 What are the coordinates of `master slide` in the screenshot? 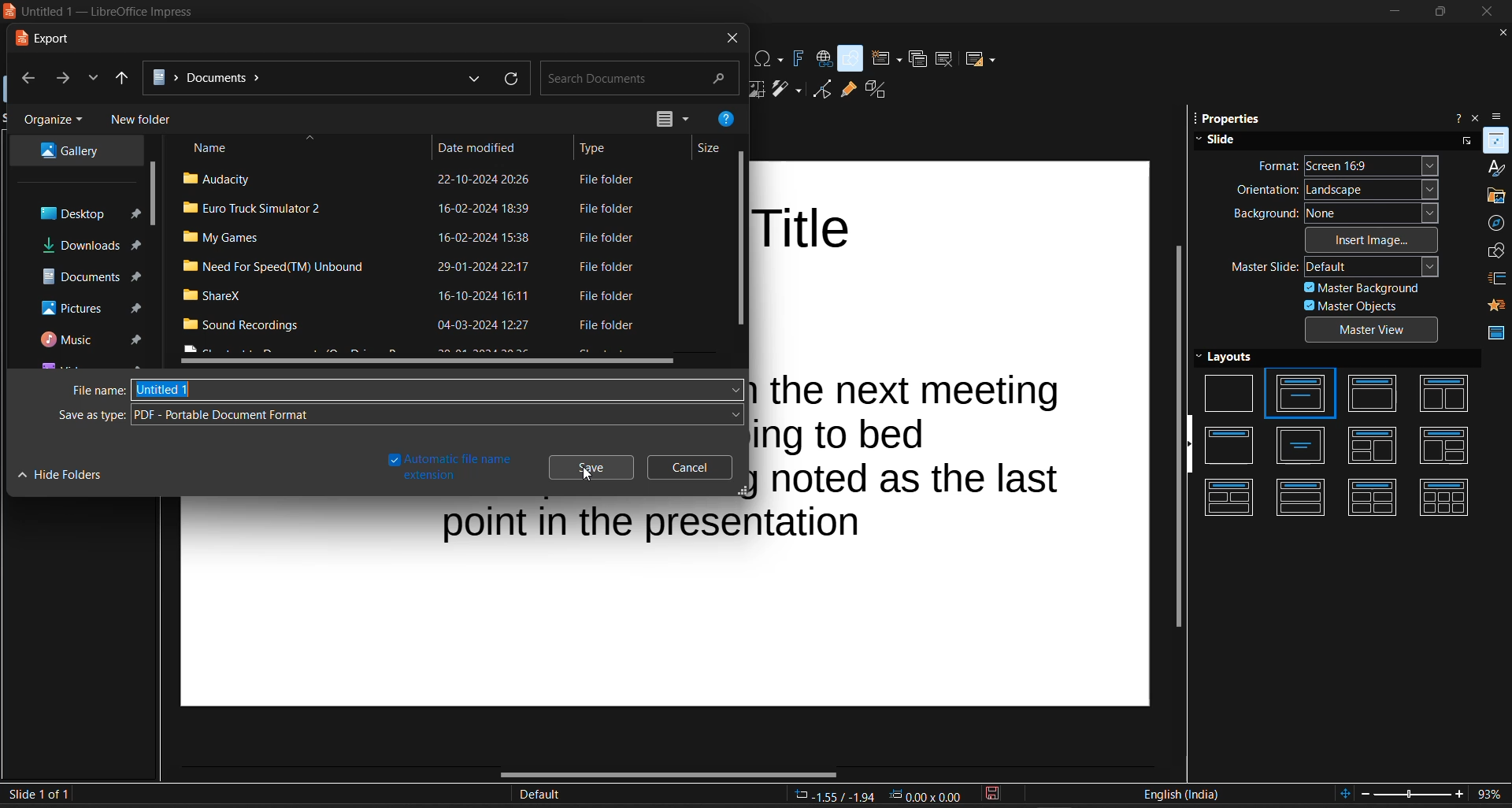 It's located at (1336, 266).